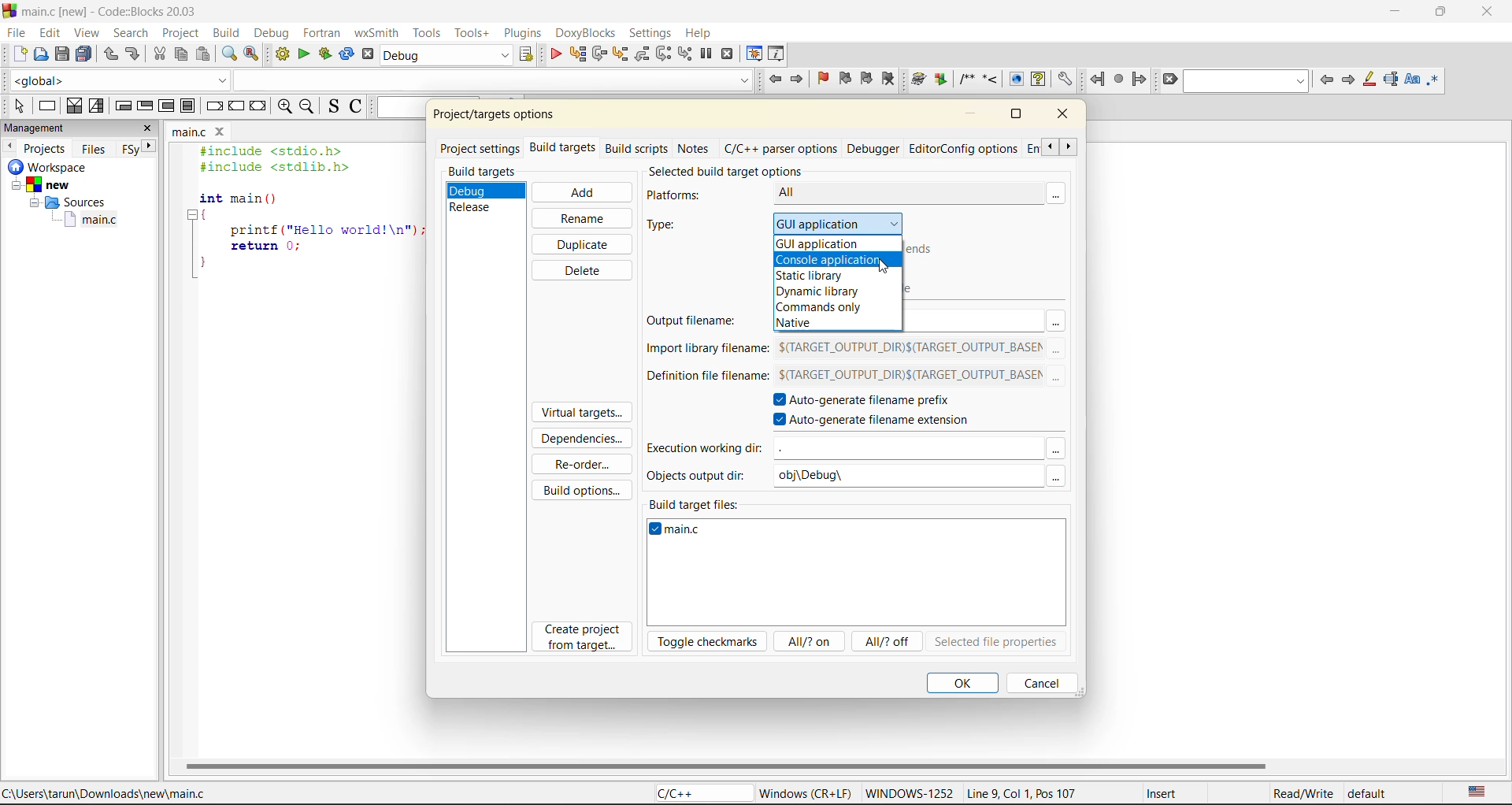 Image resolution: width=1512 pixels, height=805 pixels. Describe the element at coordinates (98, 106) in the screenshot. I see `selection` at that location.